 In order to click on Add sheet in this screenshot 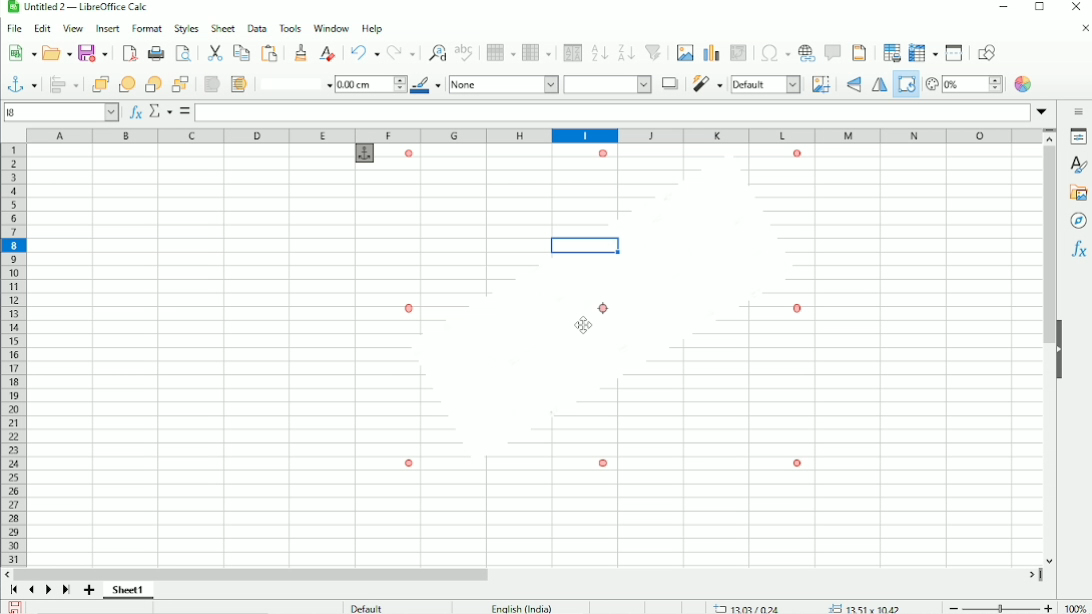, I will do `click(88, 590)`.